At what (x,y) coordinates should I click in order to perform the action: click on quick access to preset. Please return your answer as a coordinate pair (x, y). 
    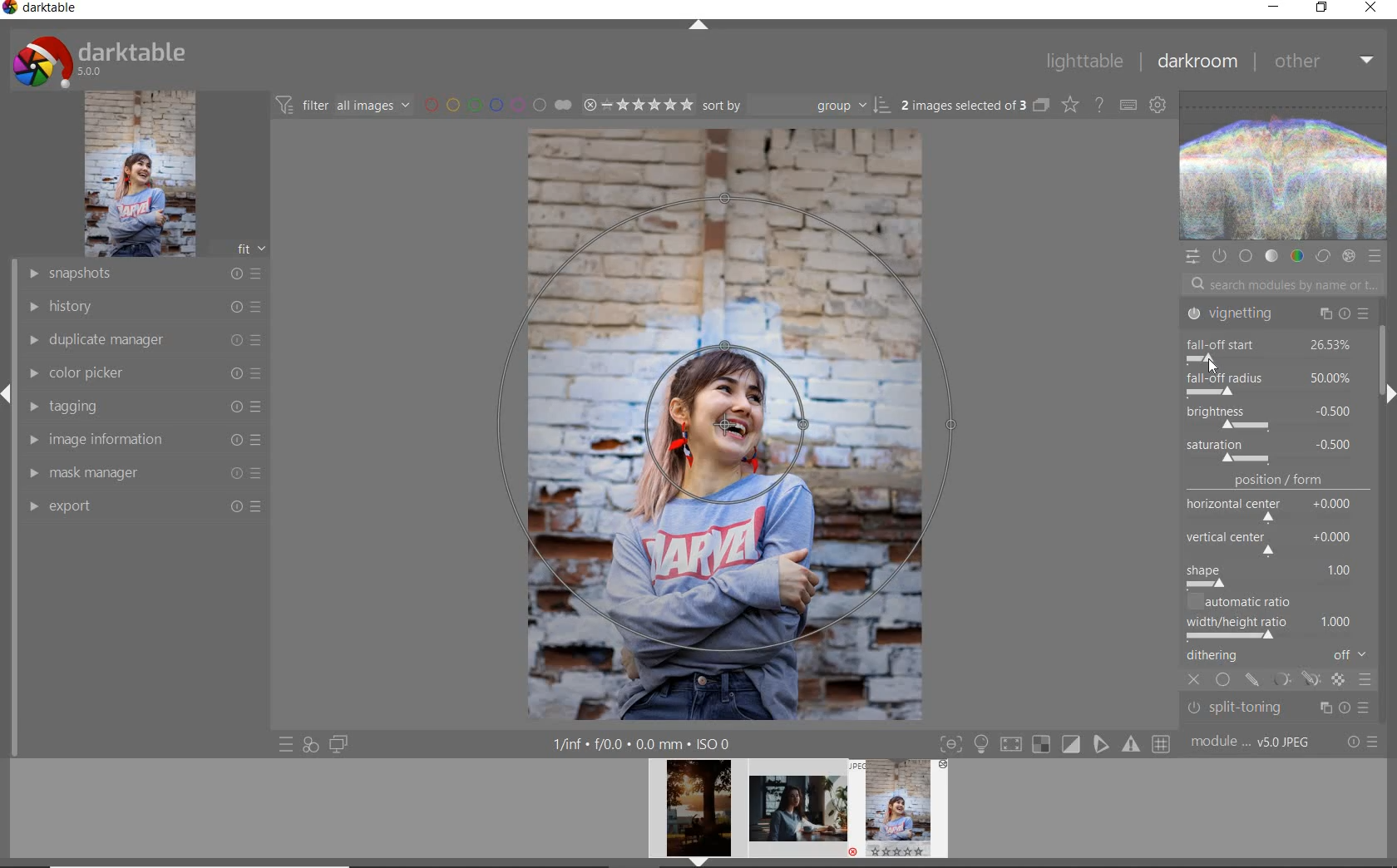
    Looking at the image, I should click on (287, 745).